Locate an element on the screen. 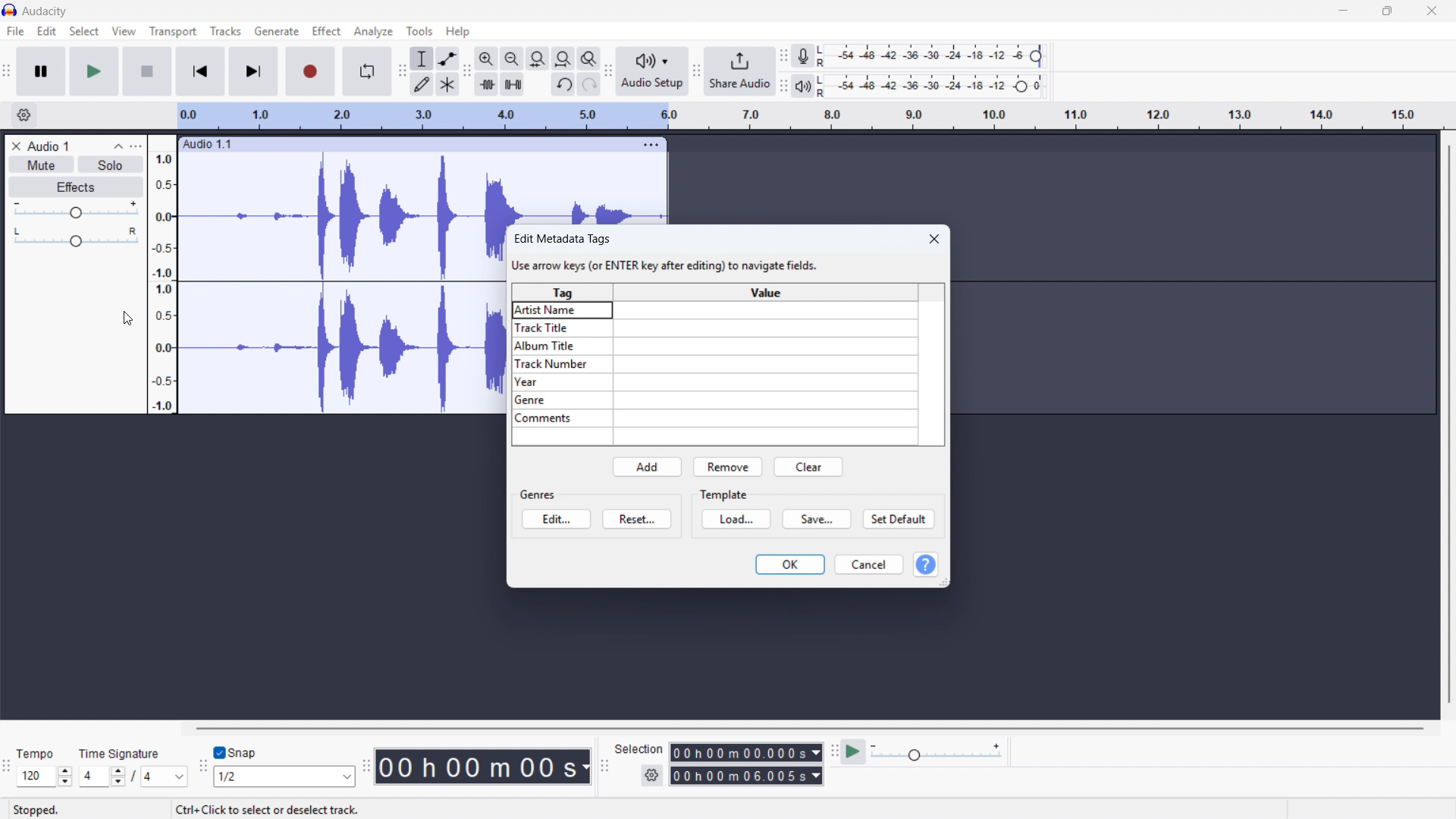  edit is located at coordinates (47, 31).